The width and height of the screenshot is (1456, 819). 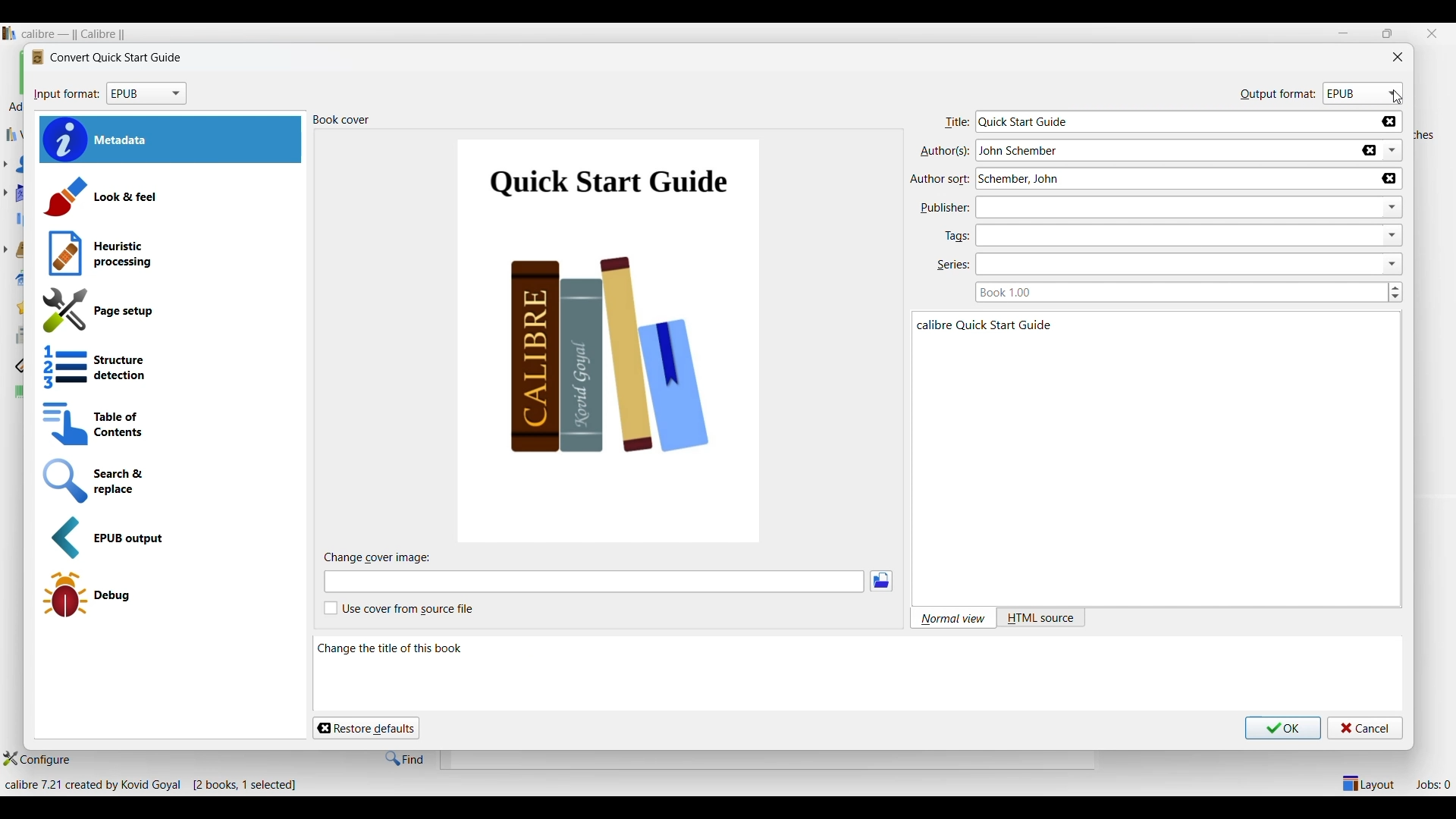 I want to click on Heuristic processing, so click(x=173, y=253).